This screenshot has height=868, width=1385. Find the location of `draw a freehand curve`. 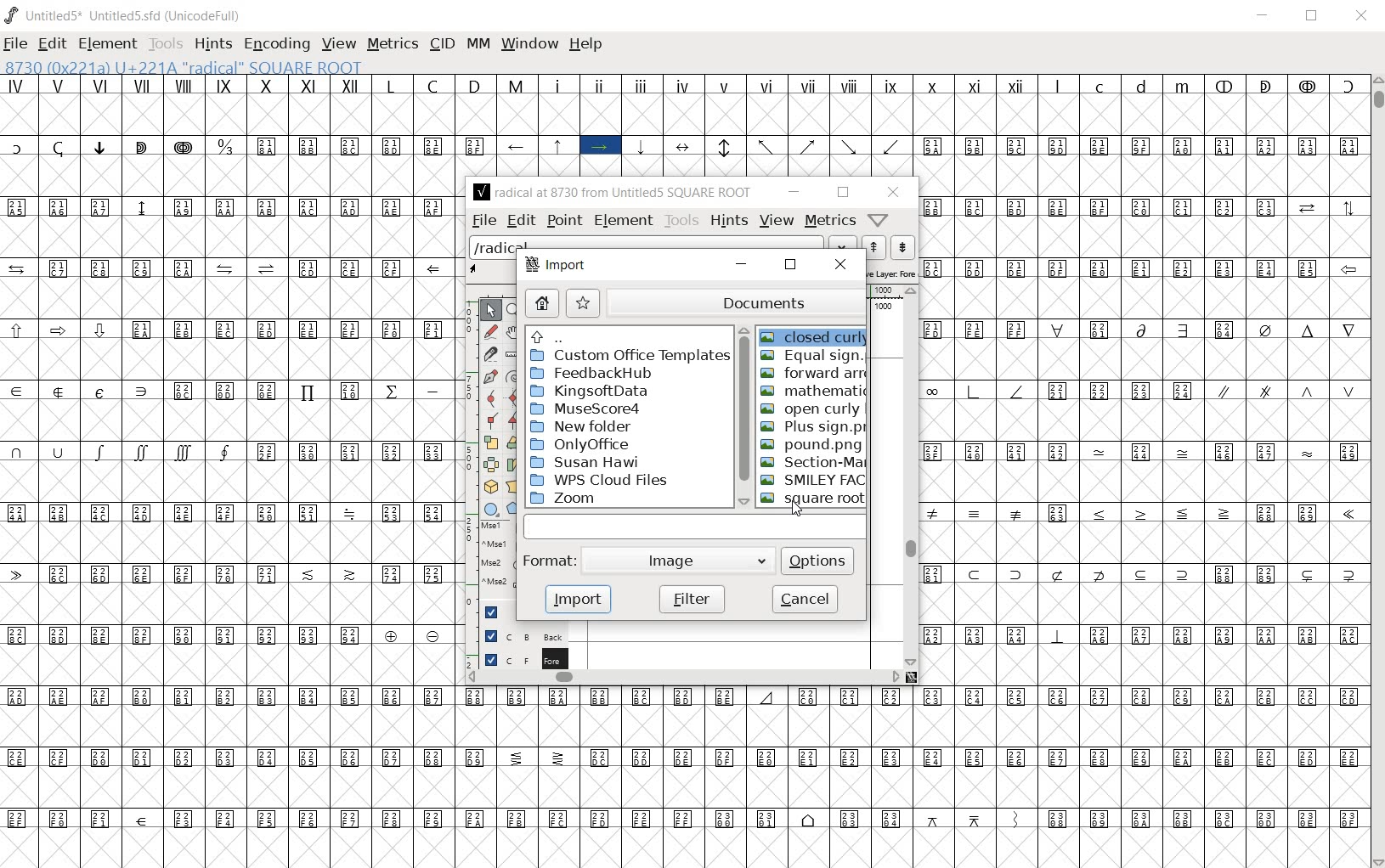

draw a freehand curve is located at coordinates (490, 331).